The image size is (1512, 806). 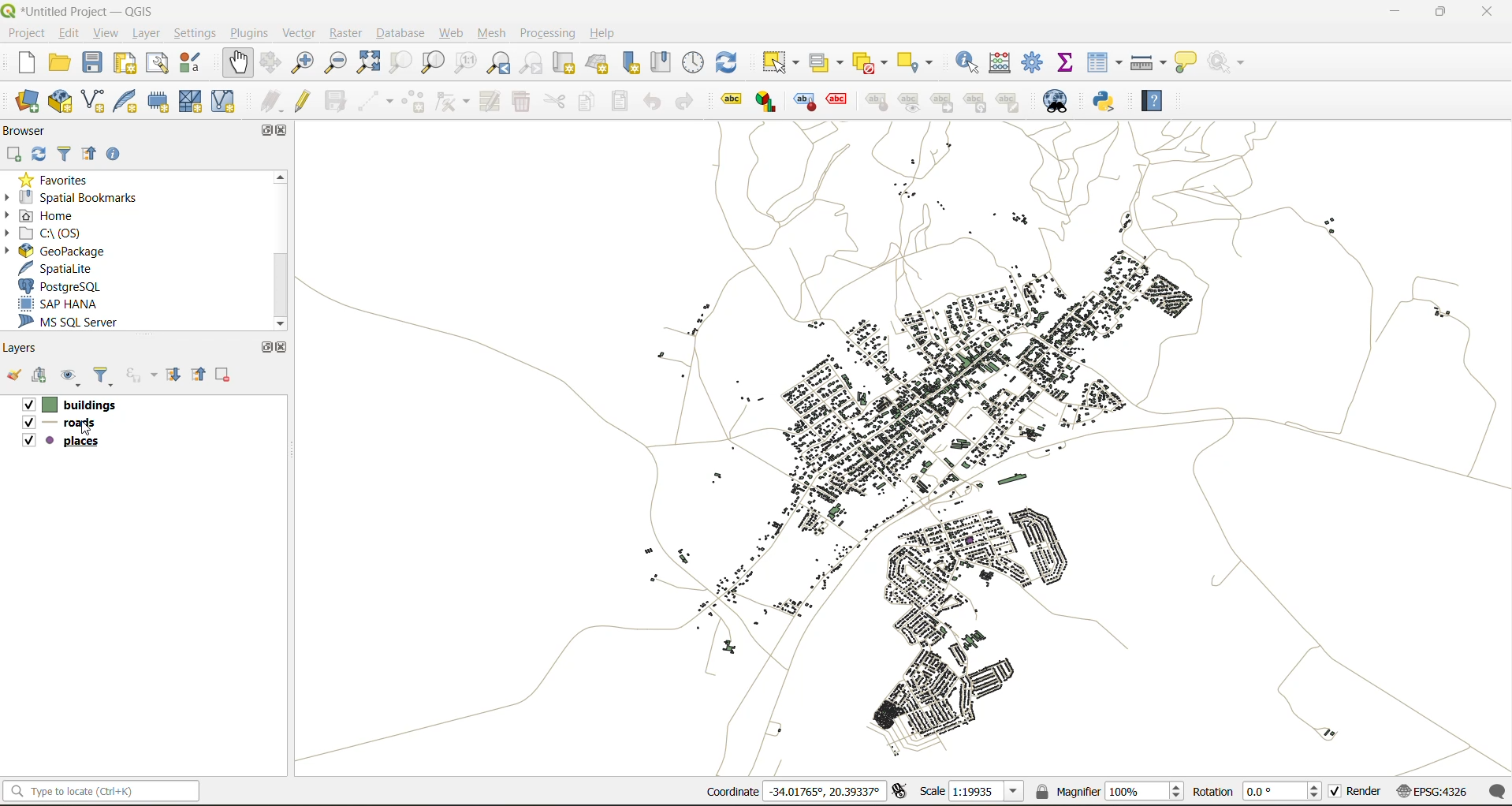 I want to click on zoom native, so click(x=465, y=62).